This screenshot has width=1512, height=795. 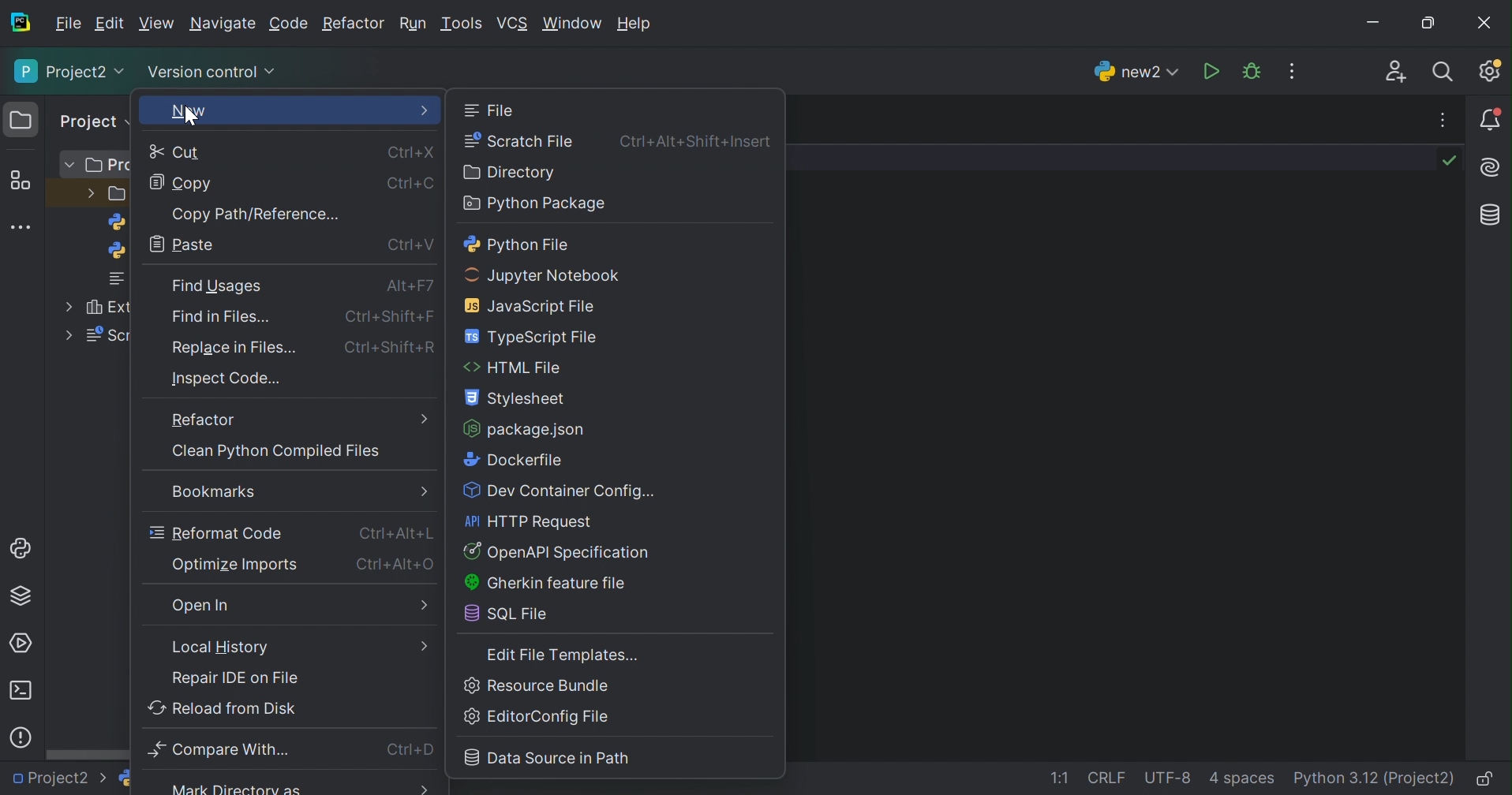 What do you see at coordinates (276, 451) in the screenshot?
I see `Clean python compiled files` at bounding box center [276, 451].